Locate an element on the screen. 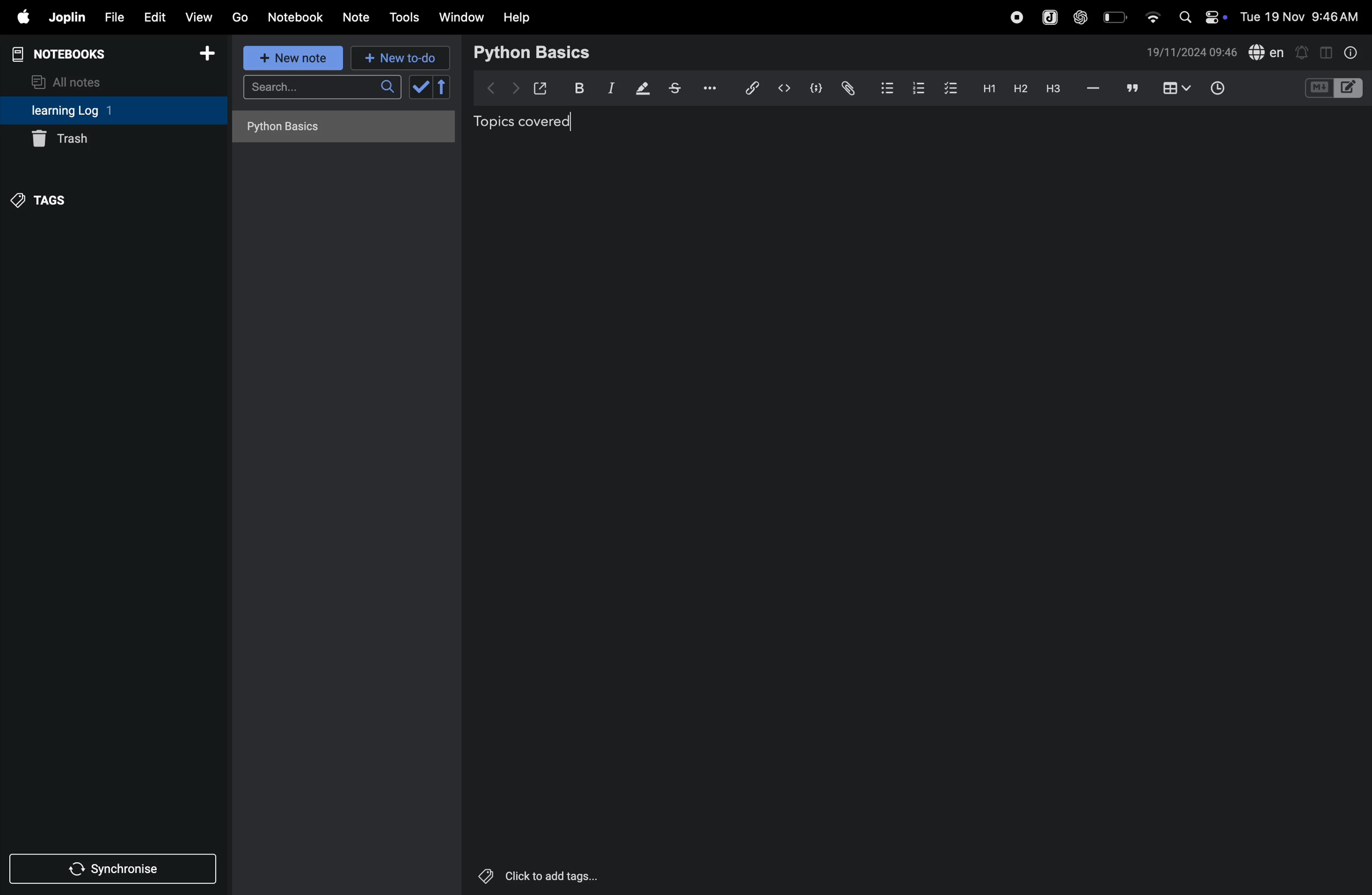 The image size is (1372, 895). wifi is located at coordinates (1152, 13).